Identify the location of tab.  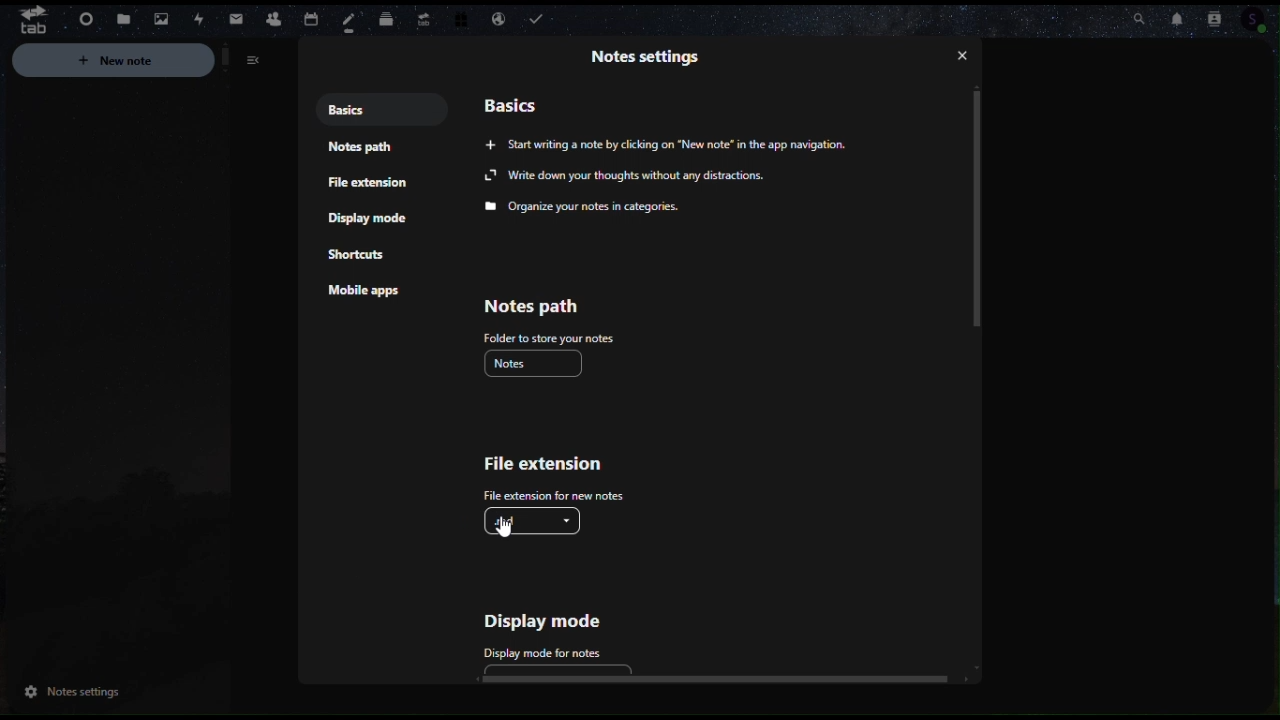
(26, 19).